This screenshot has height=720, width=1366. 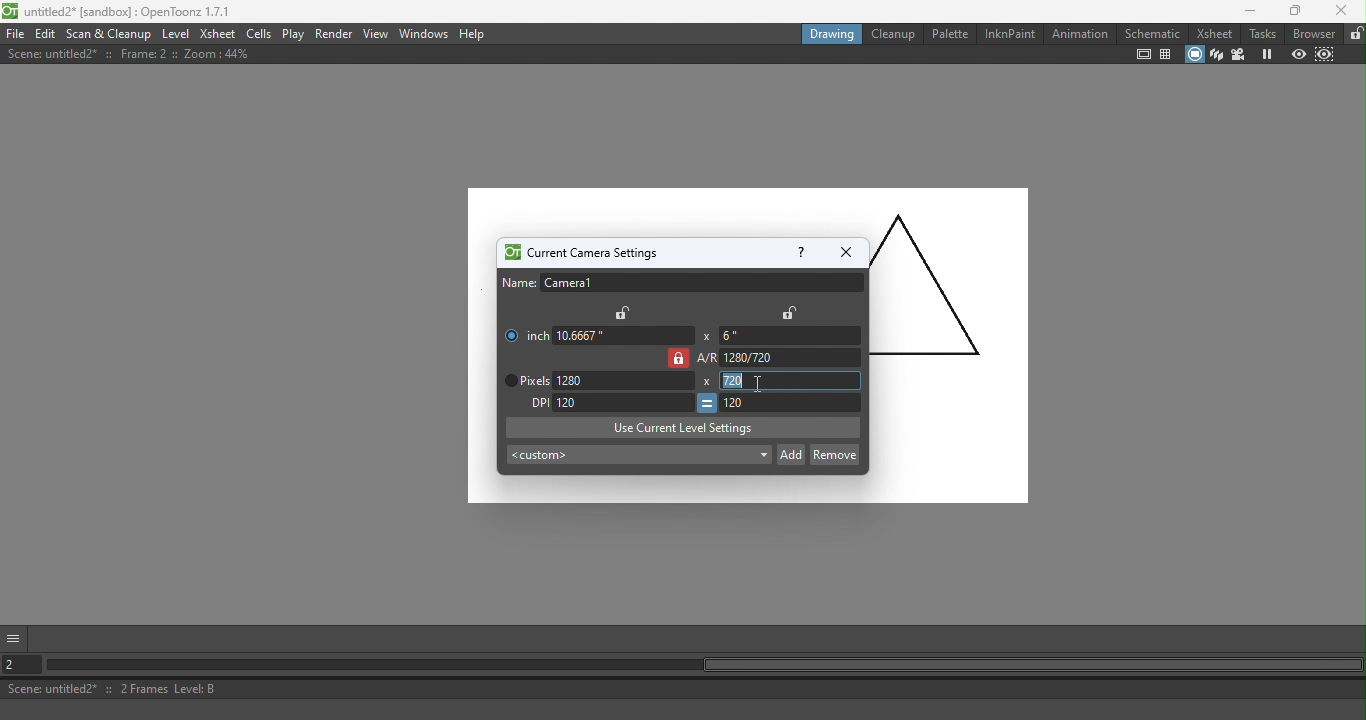 What do you see at coordinates (834, 453) in the screenshot?
I see `Remove` at bounding box center [834, 453].